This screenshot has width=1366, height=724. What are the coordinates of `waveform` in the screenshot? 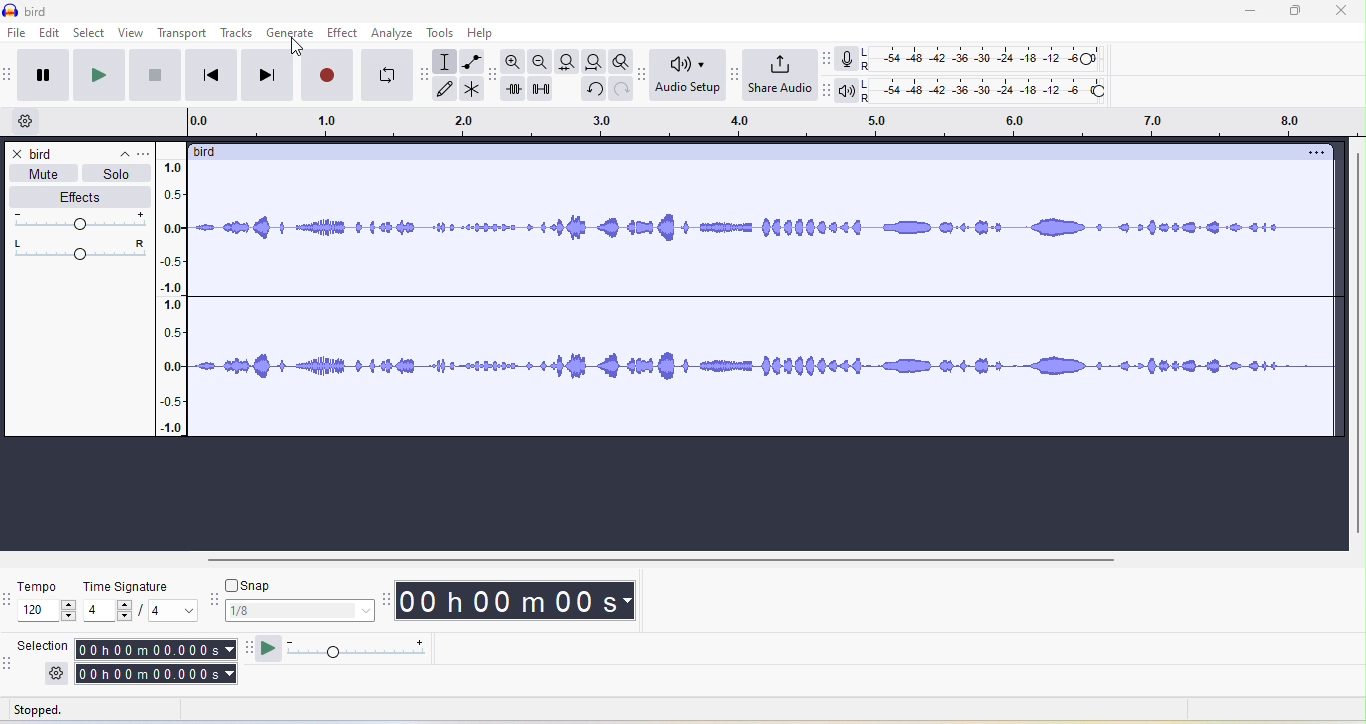 It's located at (768, 304).